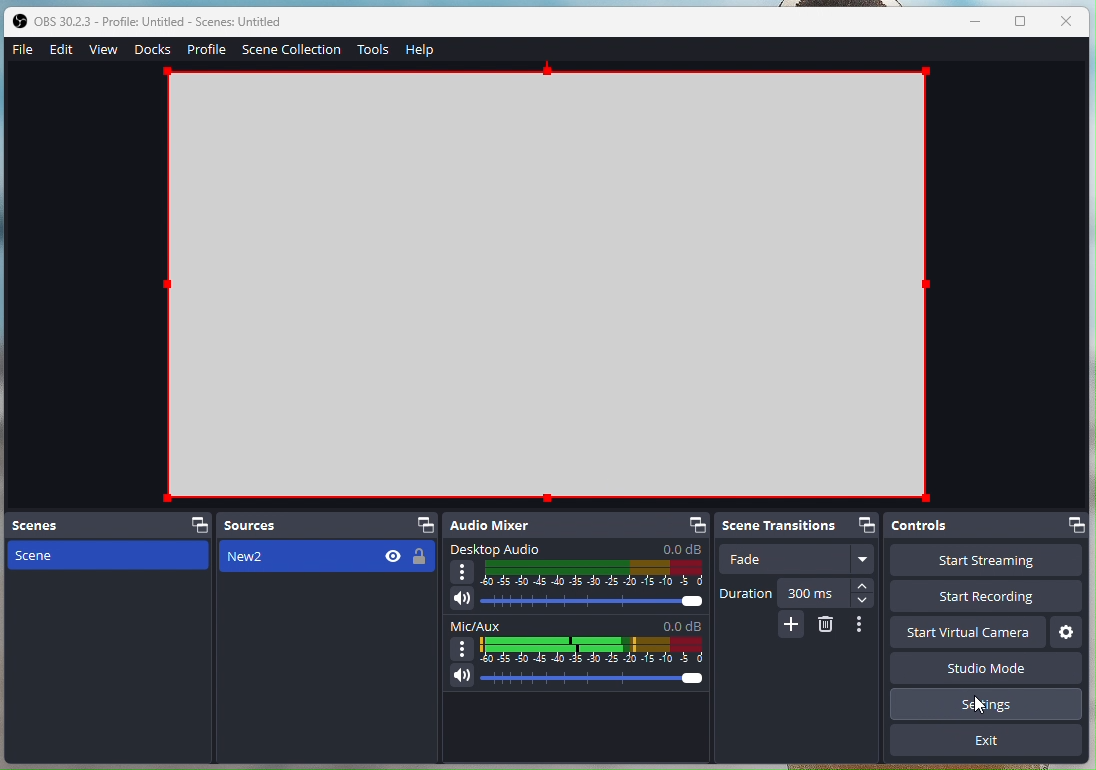  Describe the element at coordinates (786, 559) in the screenshot. I see `Fade` at that location.